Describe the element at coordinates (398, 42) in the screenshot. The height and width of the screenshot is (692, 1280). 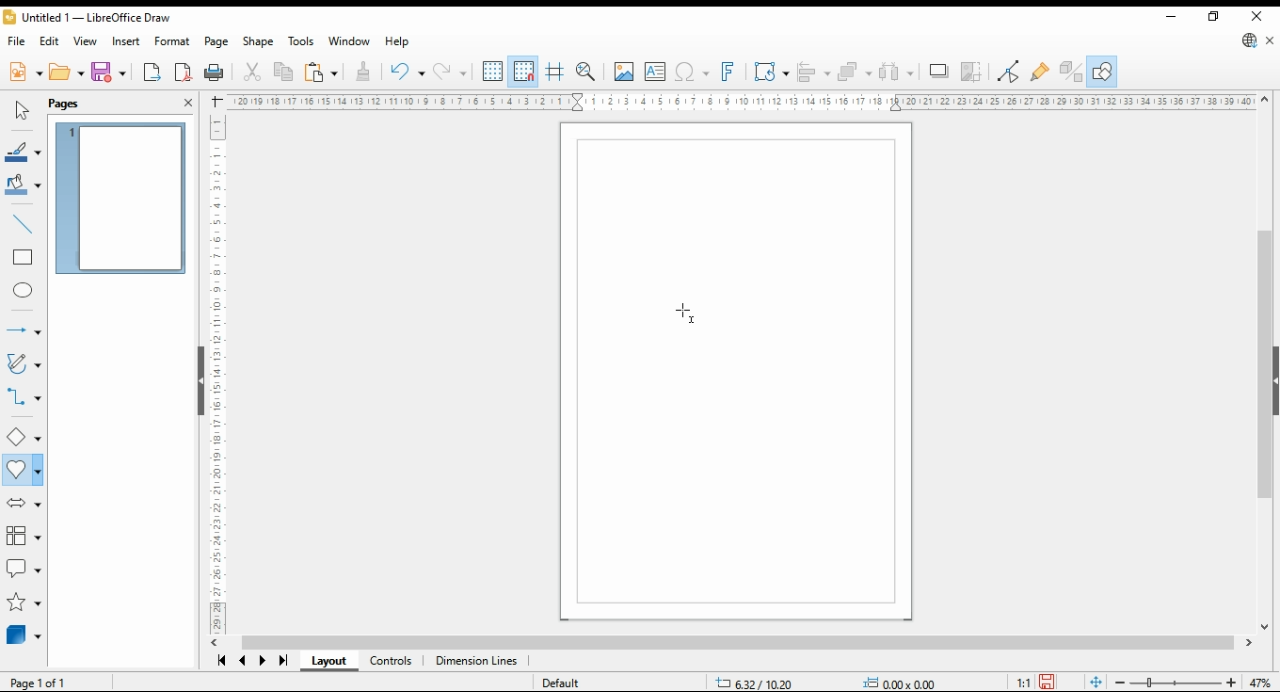
I see `help` at that location.